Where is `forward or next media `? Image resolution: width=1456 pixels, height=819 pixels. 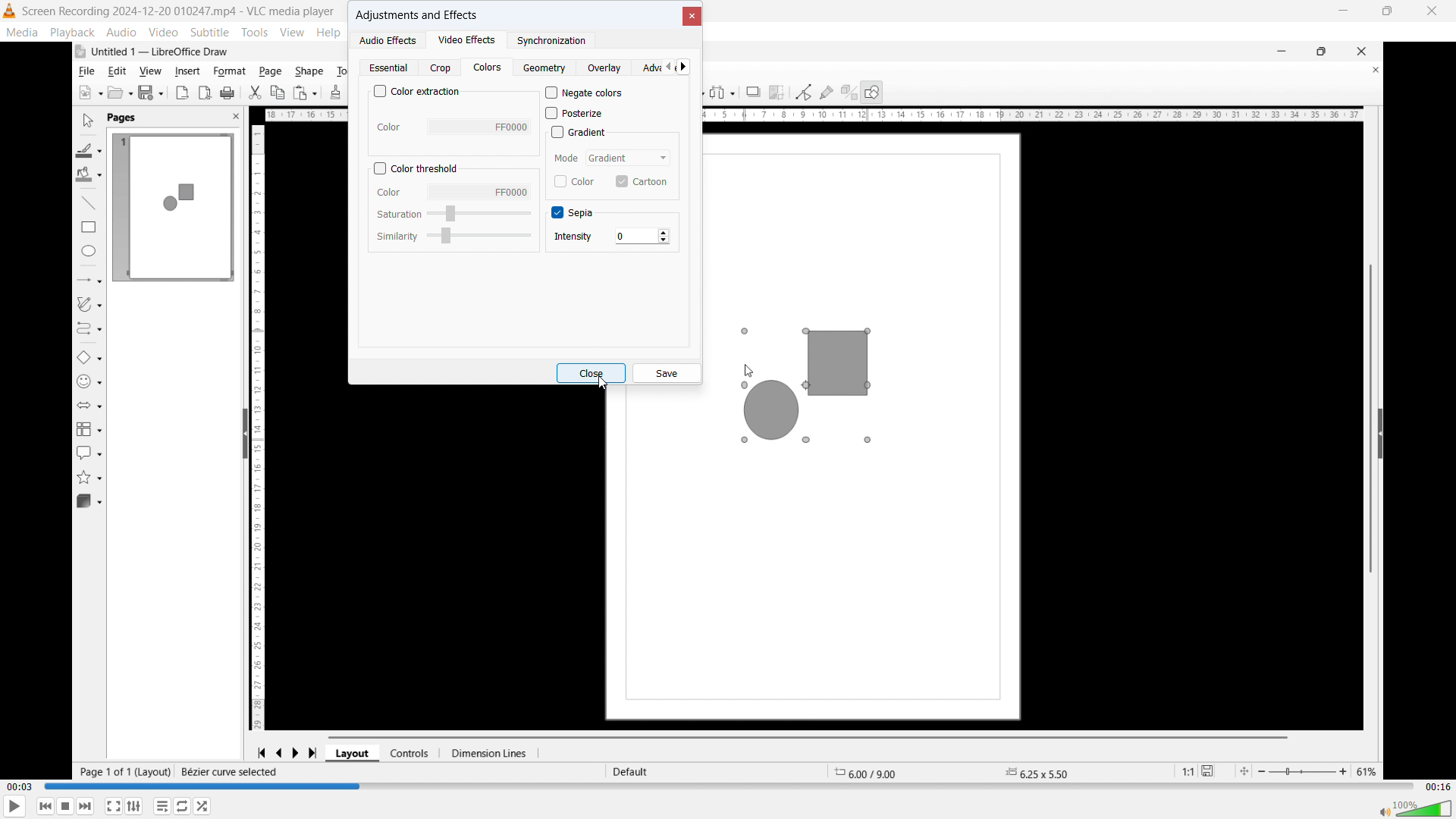
forward or next media  is located at coordinates (85, 807).